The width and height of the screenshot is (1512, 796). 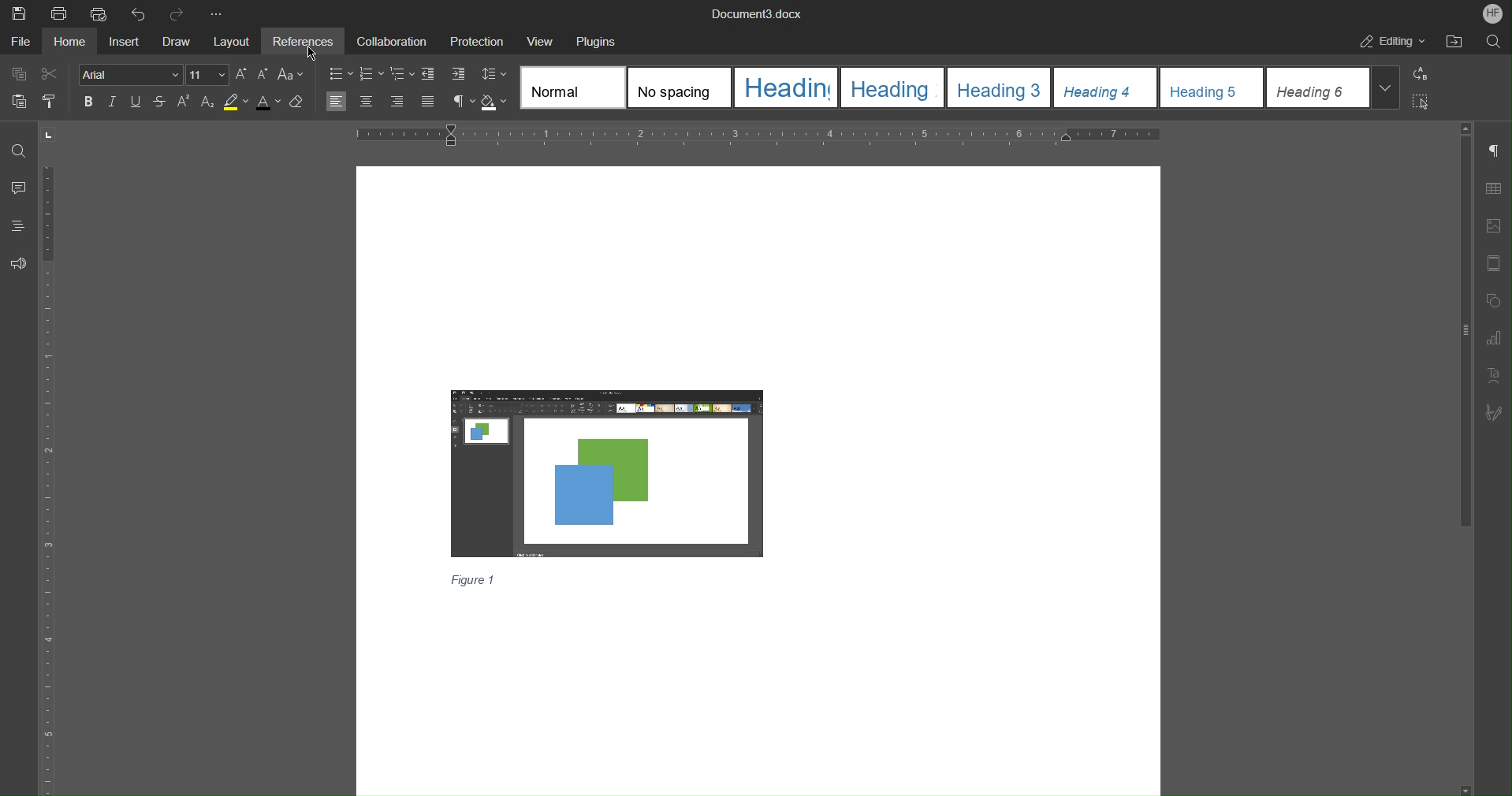 What do you see at coordinates (73, 42) in the screenshot?
I see `Home` at bounding box center [73, 42].